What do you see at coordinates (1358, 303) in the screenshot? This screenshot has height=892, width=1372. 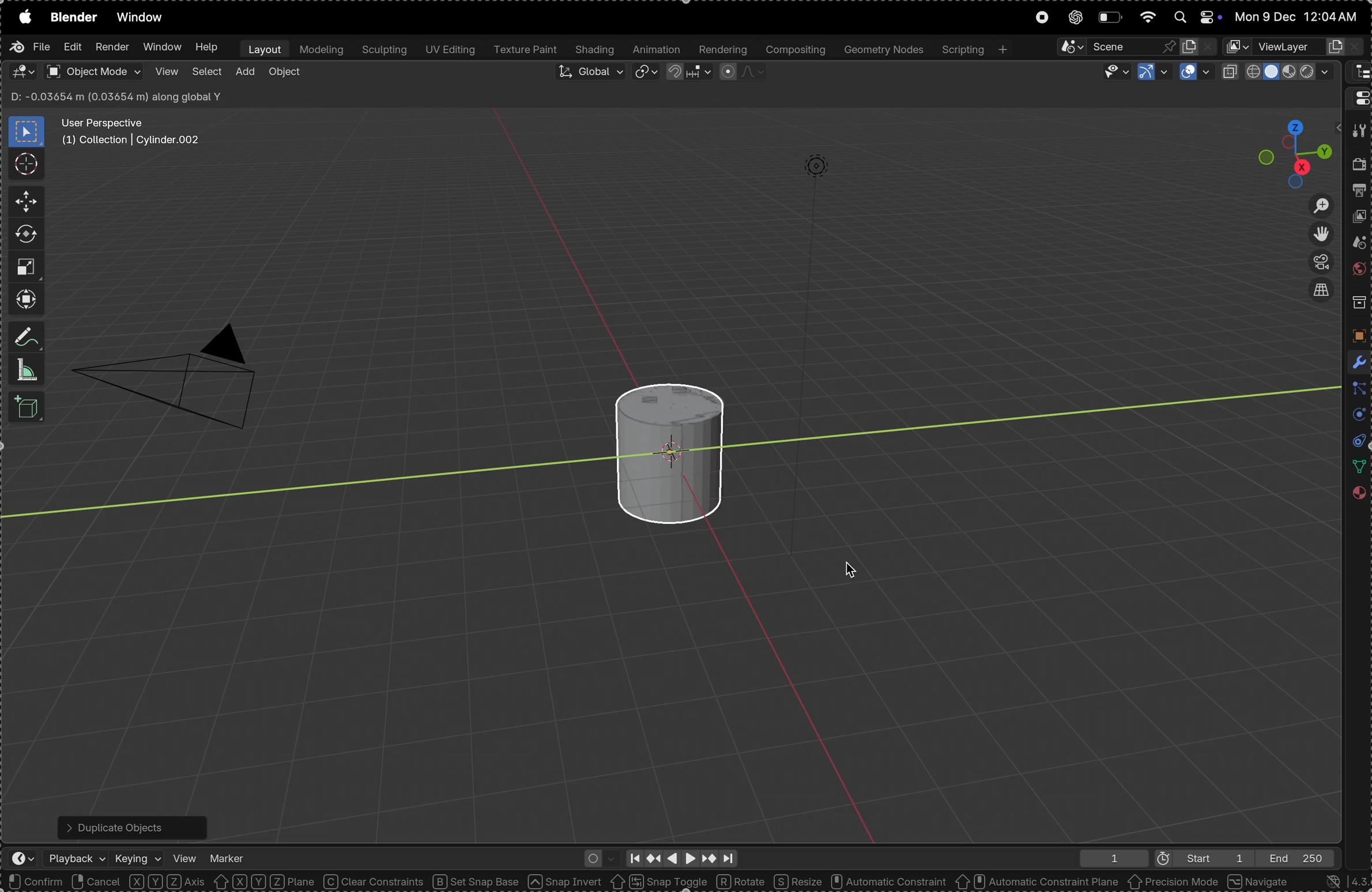 I see `collections` at bounding box center [1358, 303].